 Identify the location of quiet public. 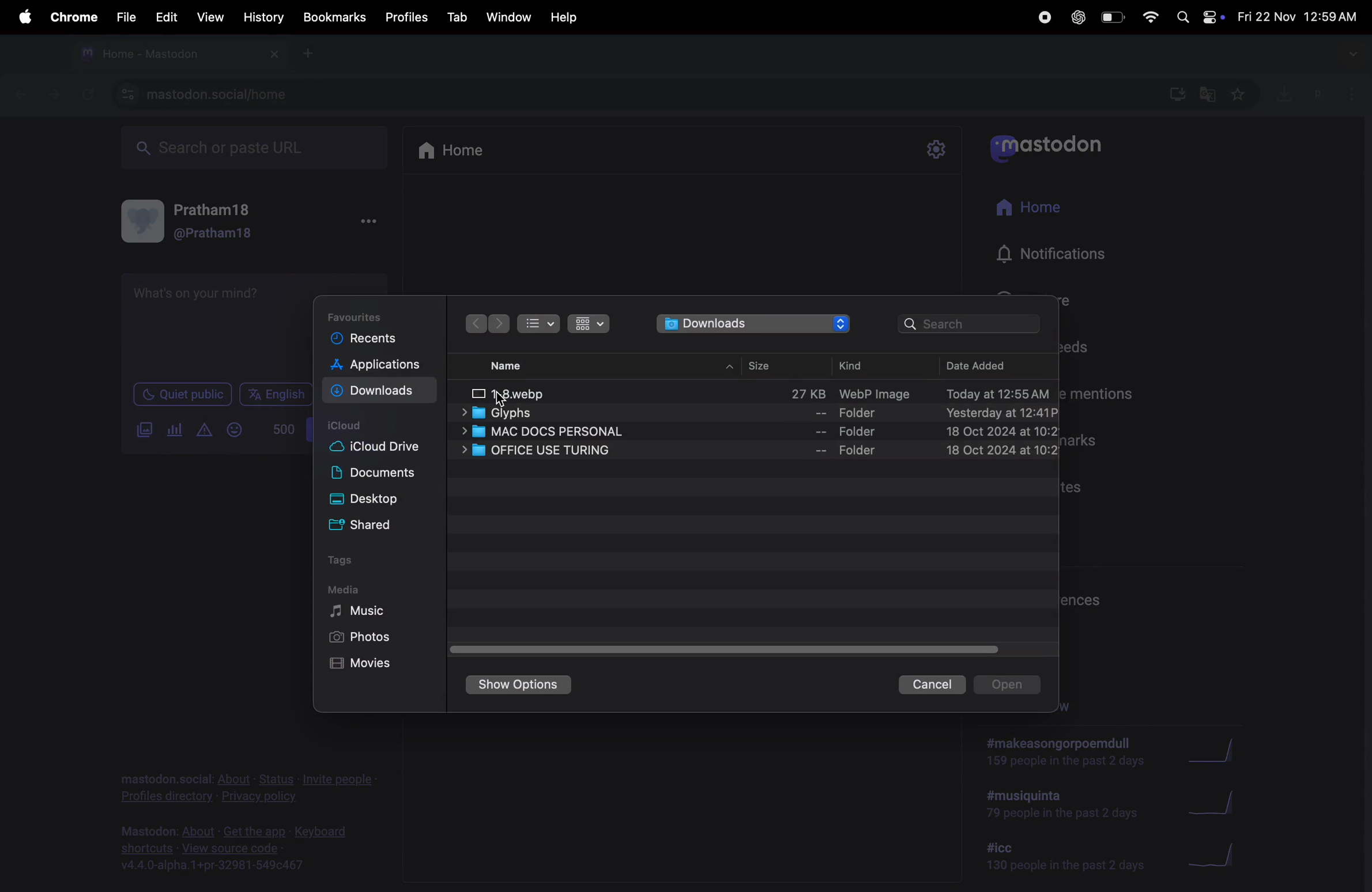
(182, 392).